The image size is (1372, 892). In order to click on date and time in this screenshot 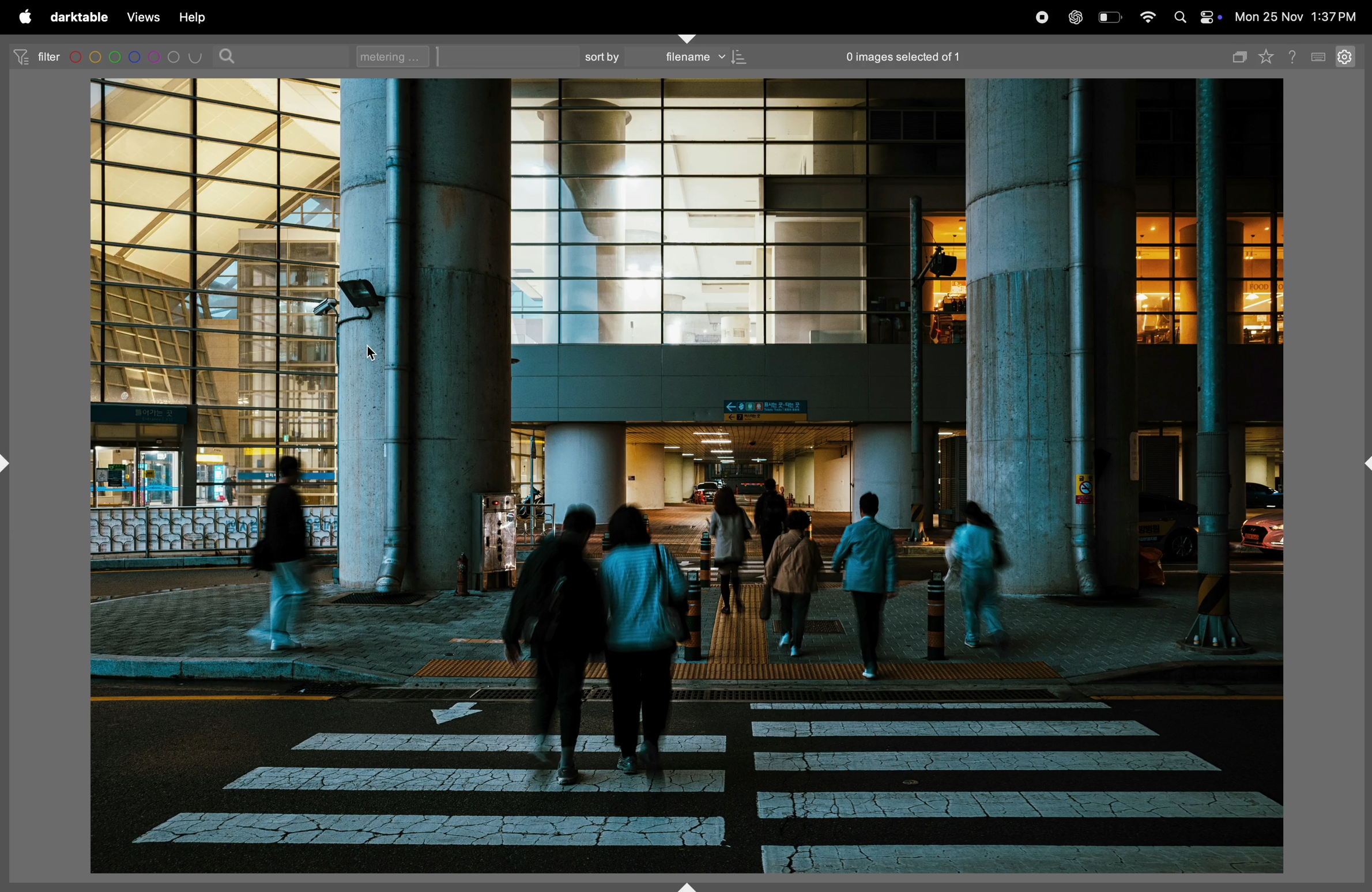, I will do `click(1296, 18)`.